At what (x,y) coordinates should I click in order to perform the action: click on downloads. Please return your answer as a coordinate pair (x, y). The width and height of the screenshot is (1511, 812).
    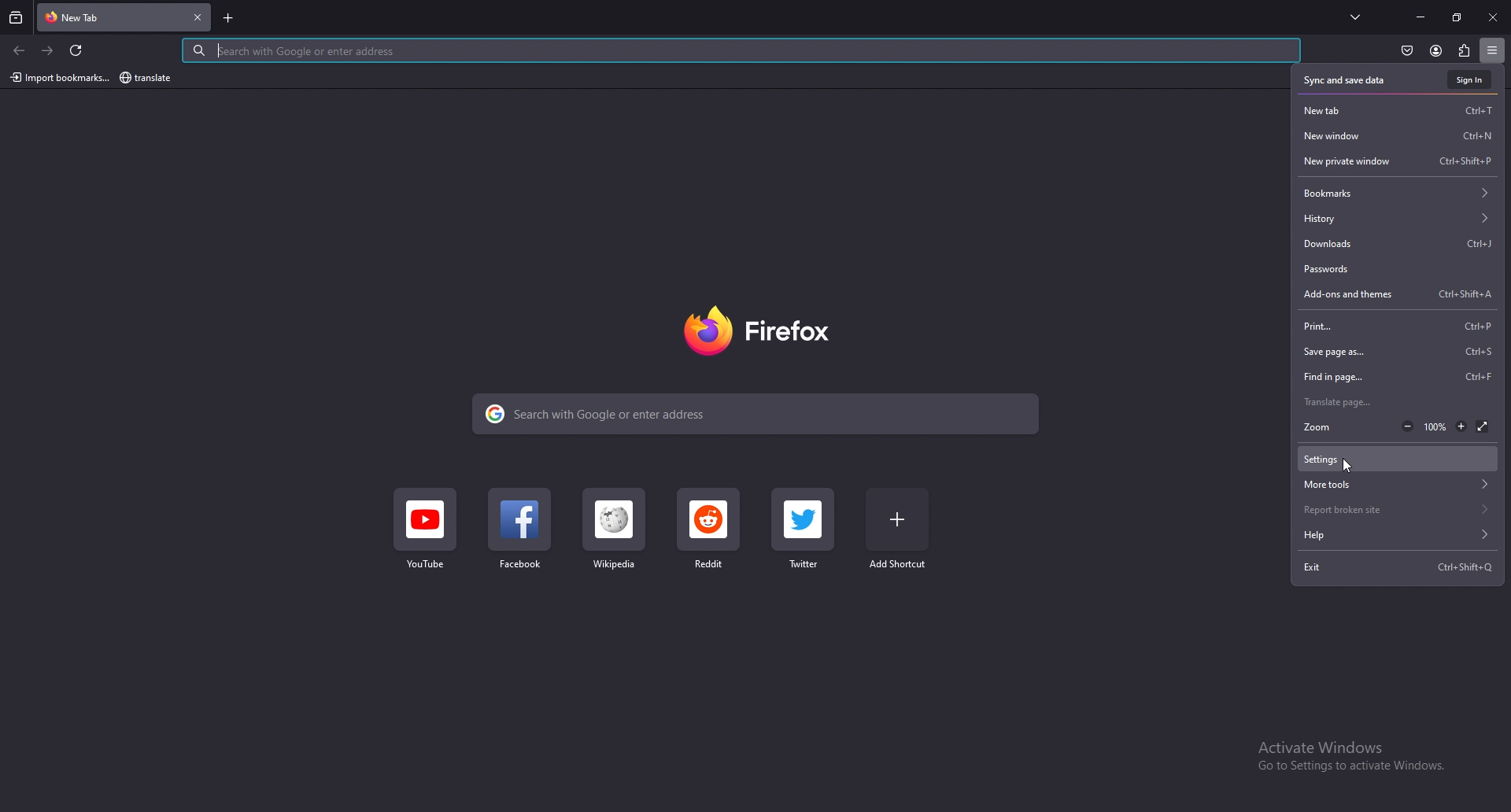
    Looking at the image, I should click on (1398, 244).